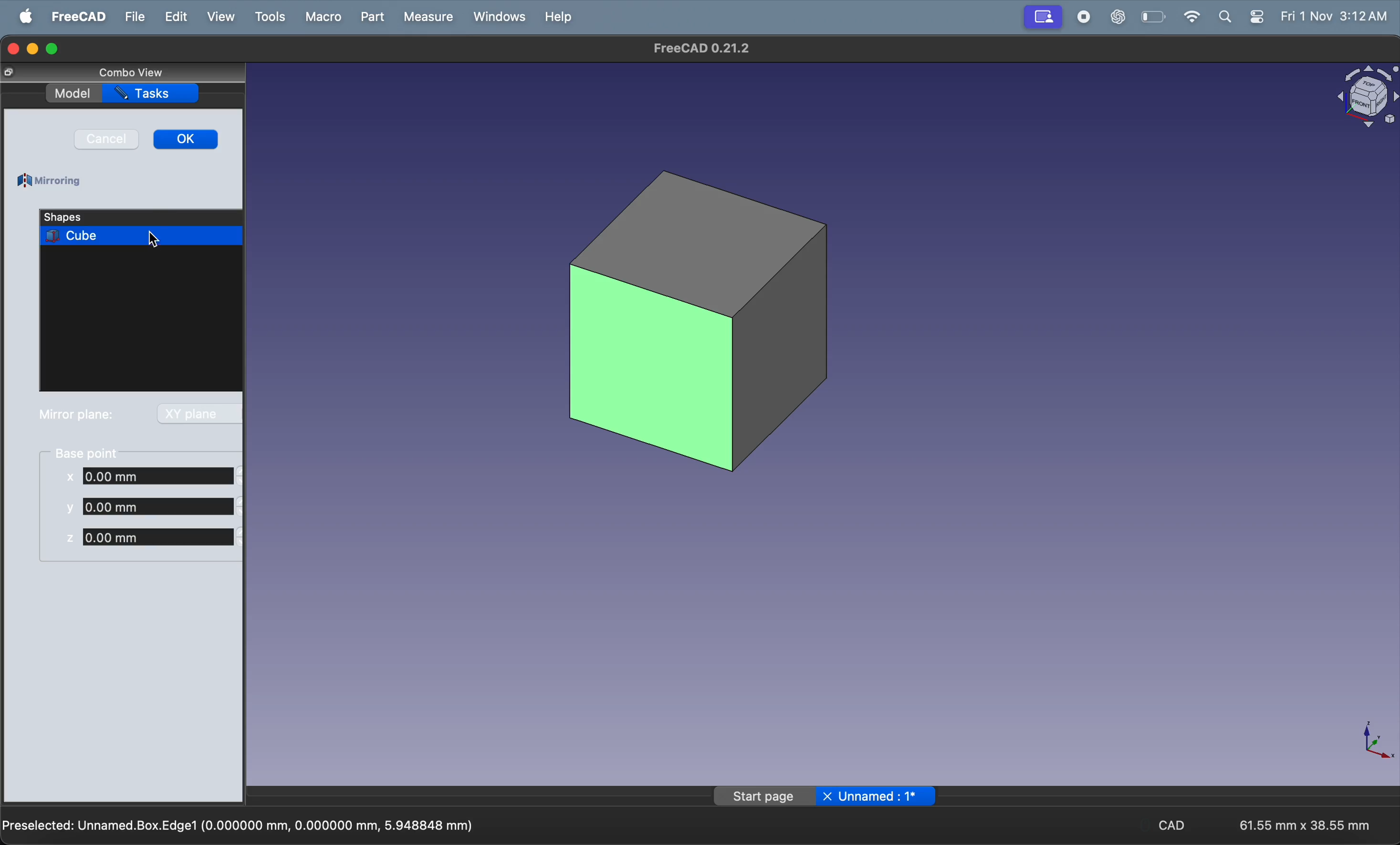  Describe the element at coordinates (697, 48) in the screenshot. I see `FreeCAD 0.21.2` at that location.